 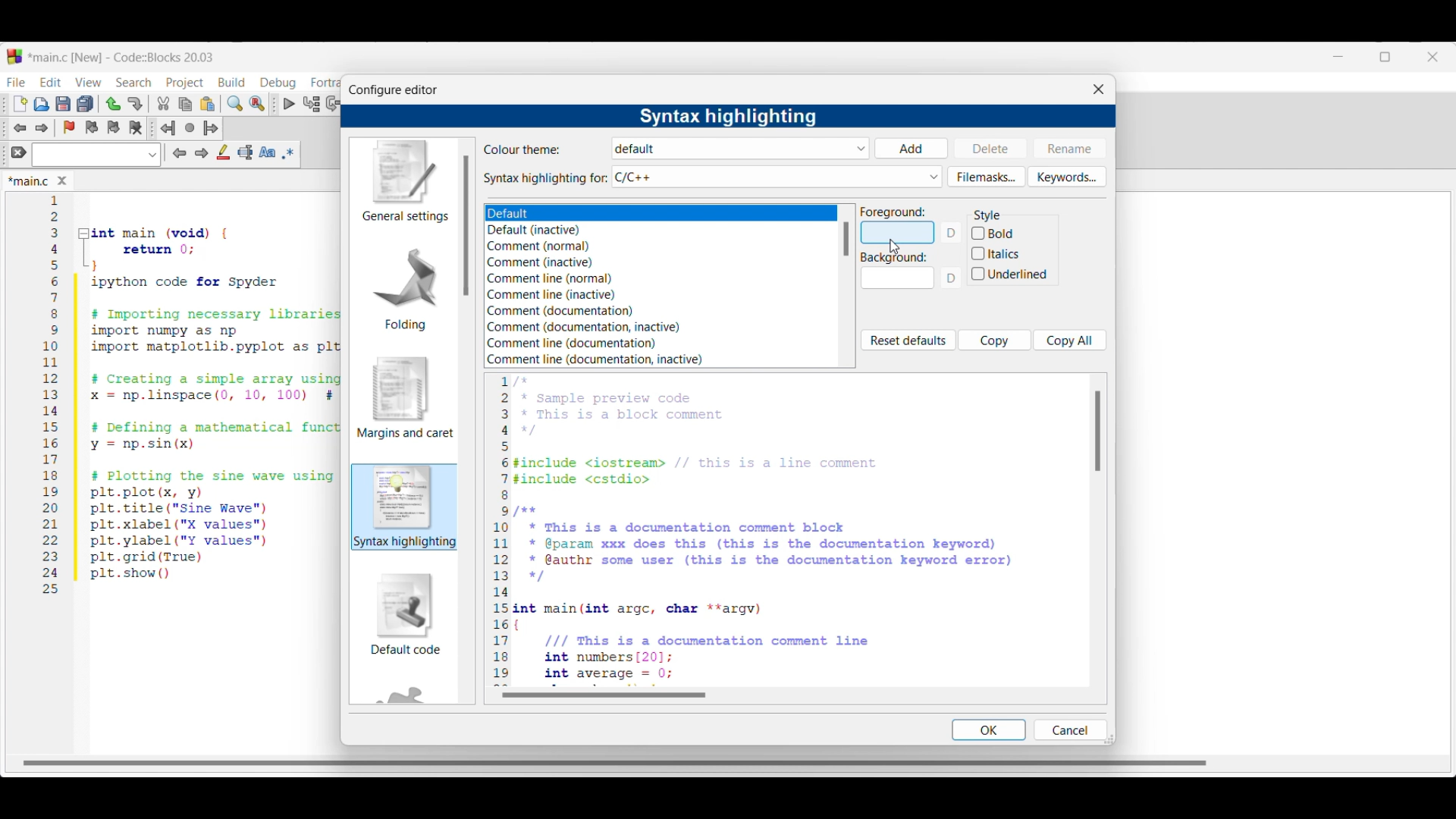 I want to click on Current code, so click(x=193, y=395).